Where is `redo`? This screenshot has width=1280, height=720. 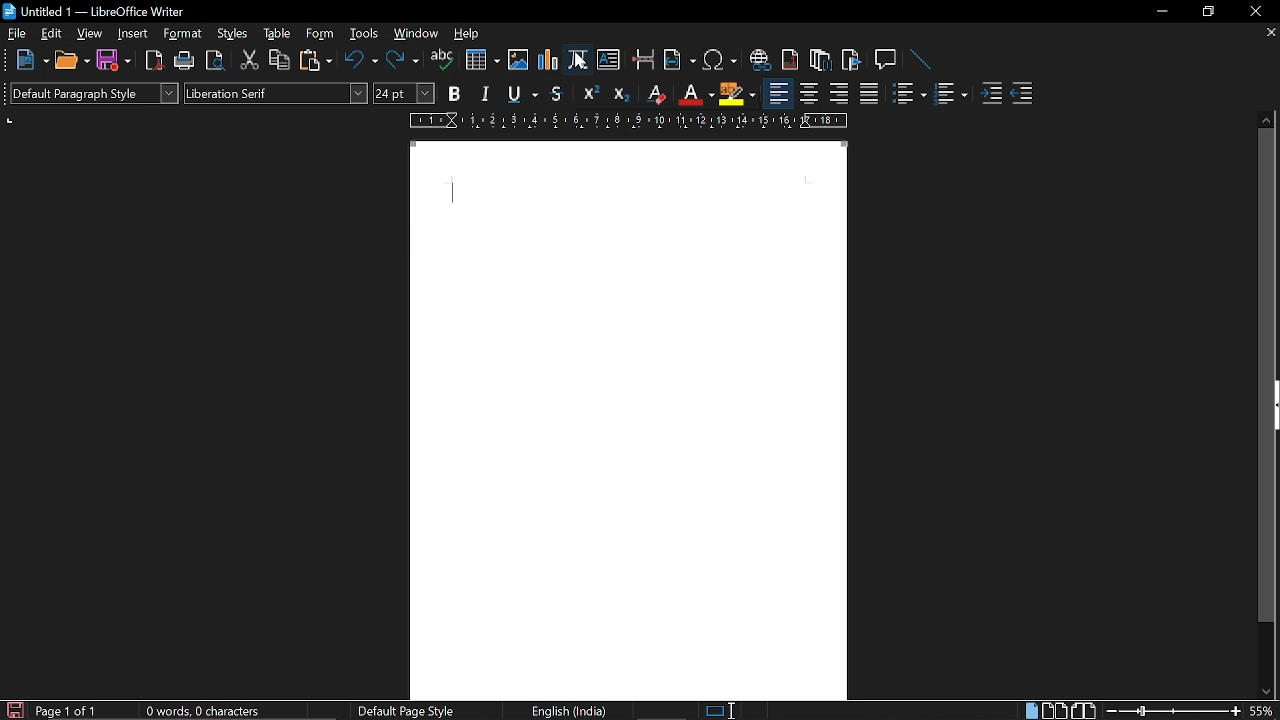 redo is located at coordinates (402, 62).